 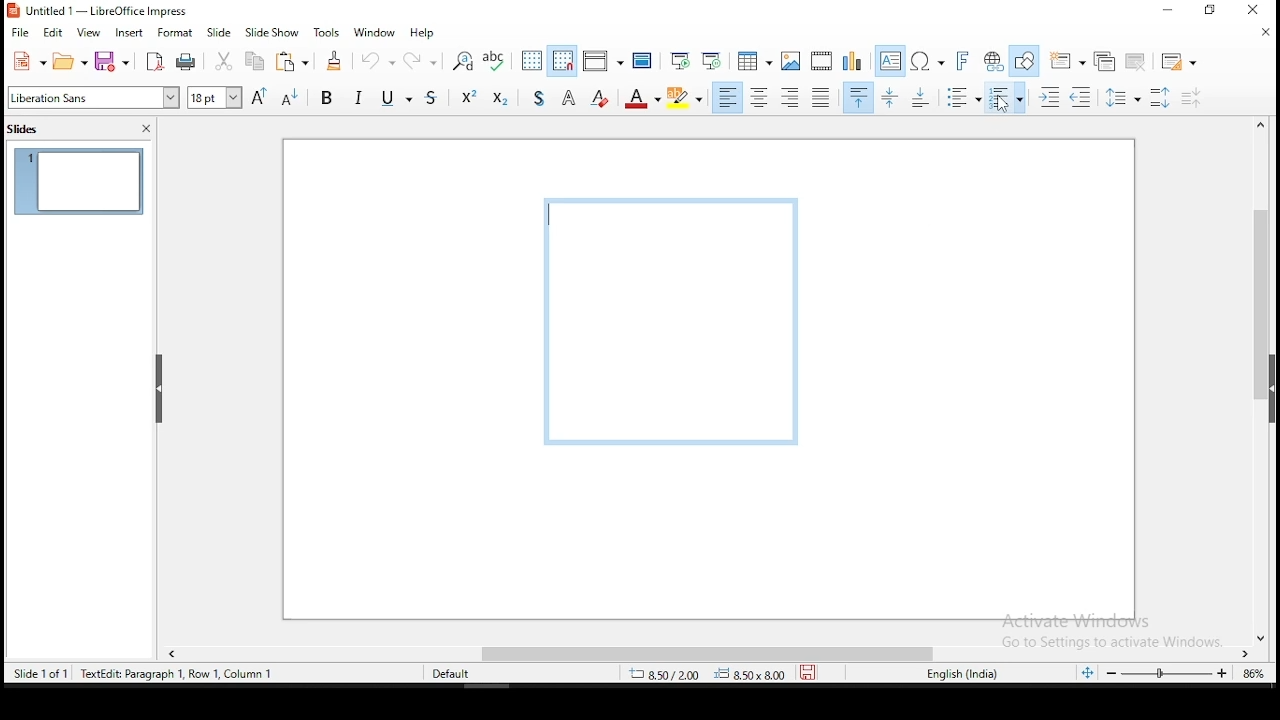 I want to click on character highlighting color, so click(x=683, y=97).